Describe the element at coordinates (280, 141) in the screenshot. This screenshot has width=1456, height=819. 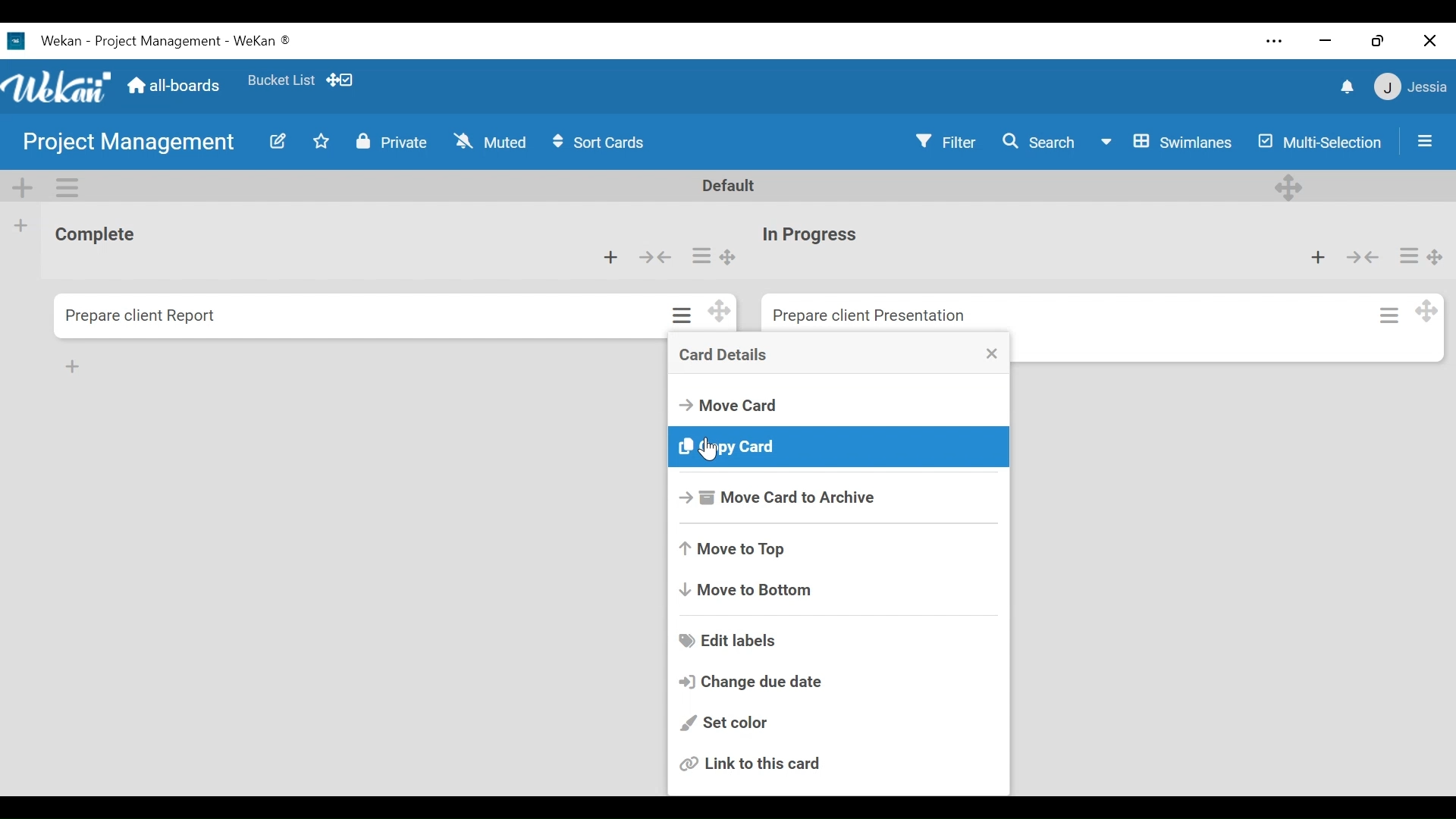
I see `Edit` at that location.